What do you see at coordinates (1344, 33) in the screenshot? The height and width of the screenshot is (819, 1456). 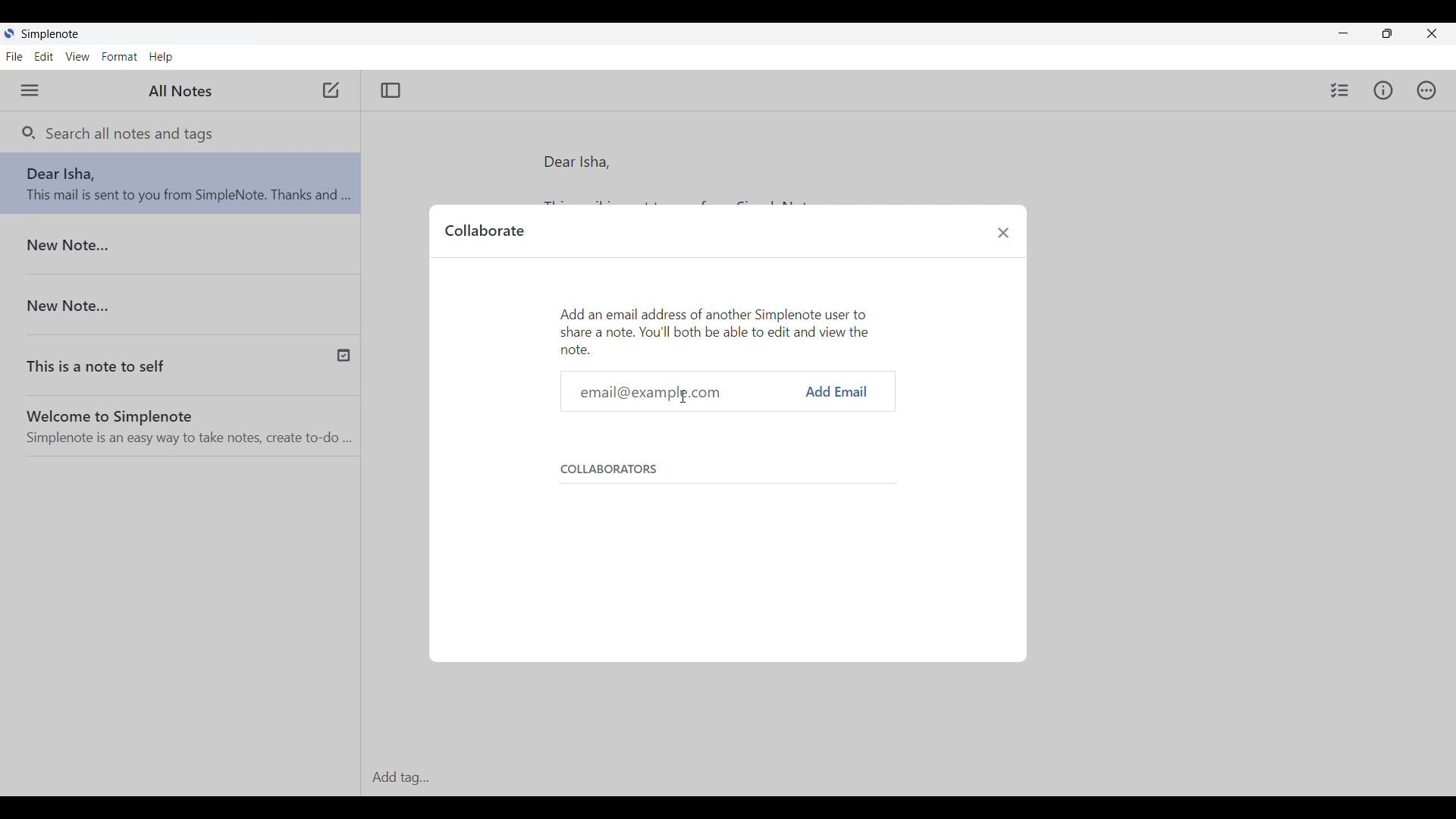 I see `Minimize` at bounding box center [1344, 33].